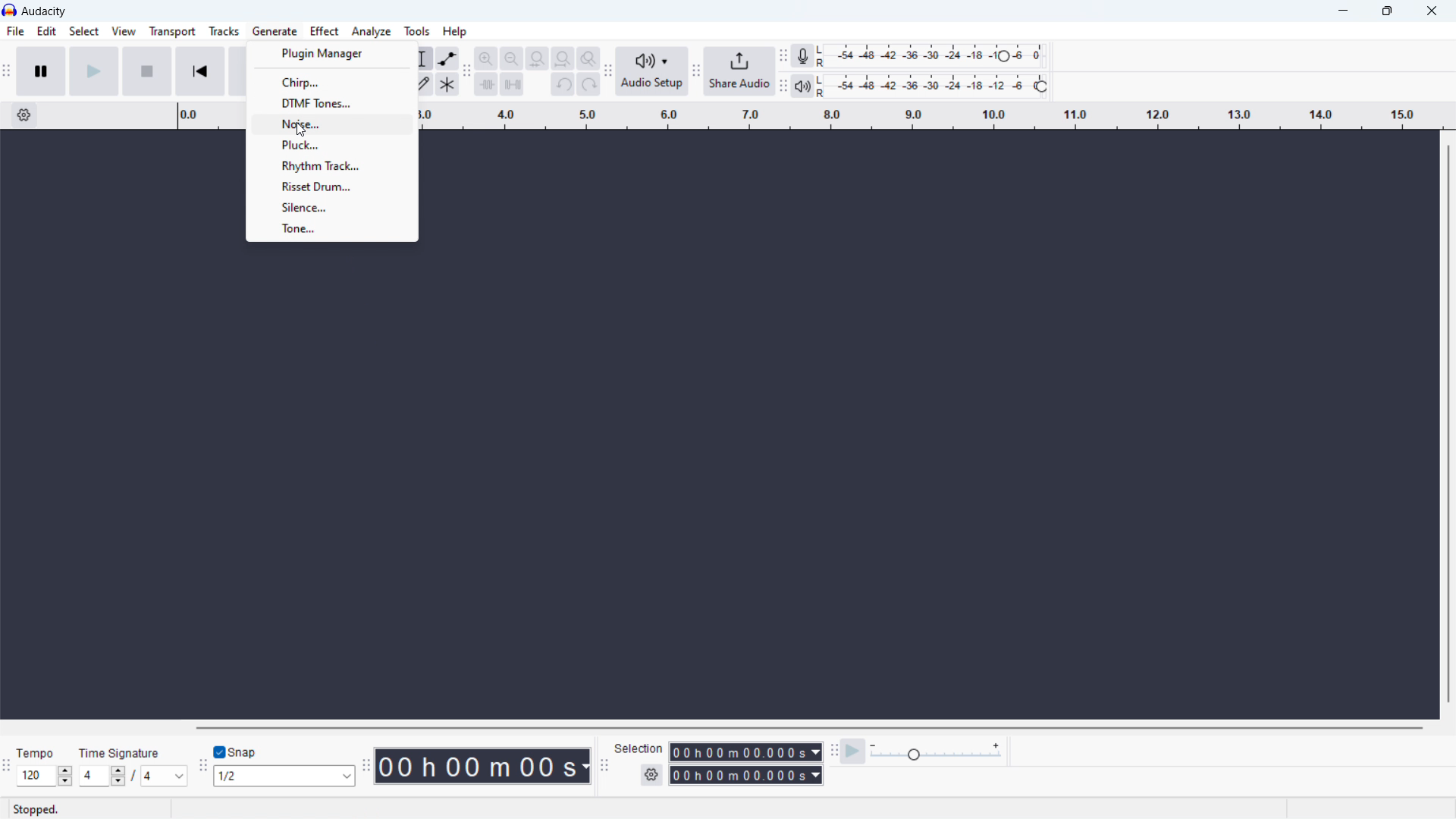  What do you see at coordinates (1436, 11) in the screenshot?
I see `close Audacity` at bounding box center [1436, 11].